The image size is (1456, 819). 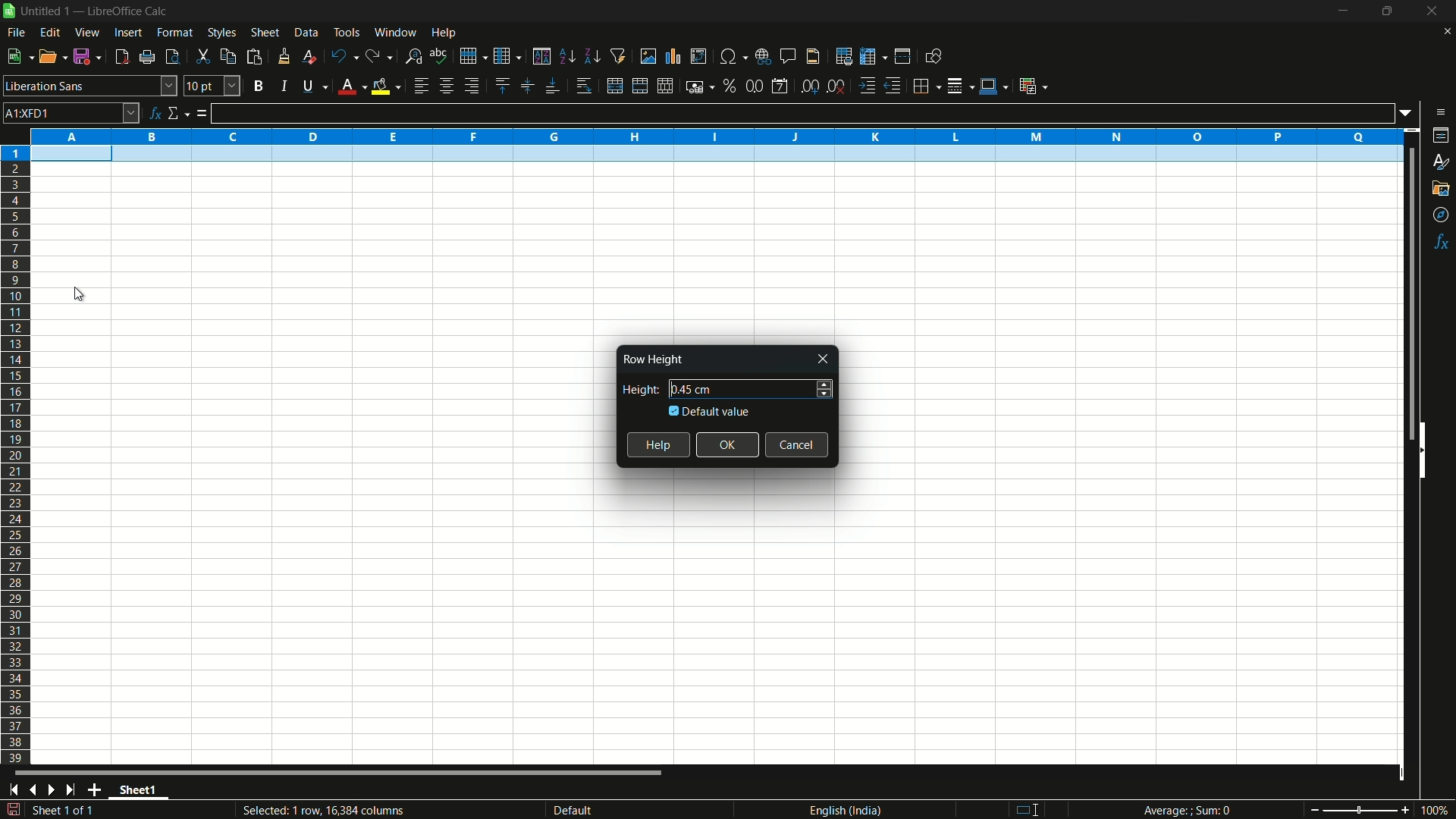 I want to click on split window, so click(x=902, y=57).